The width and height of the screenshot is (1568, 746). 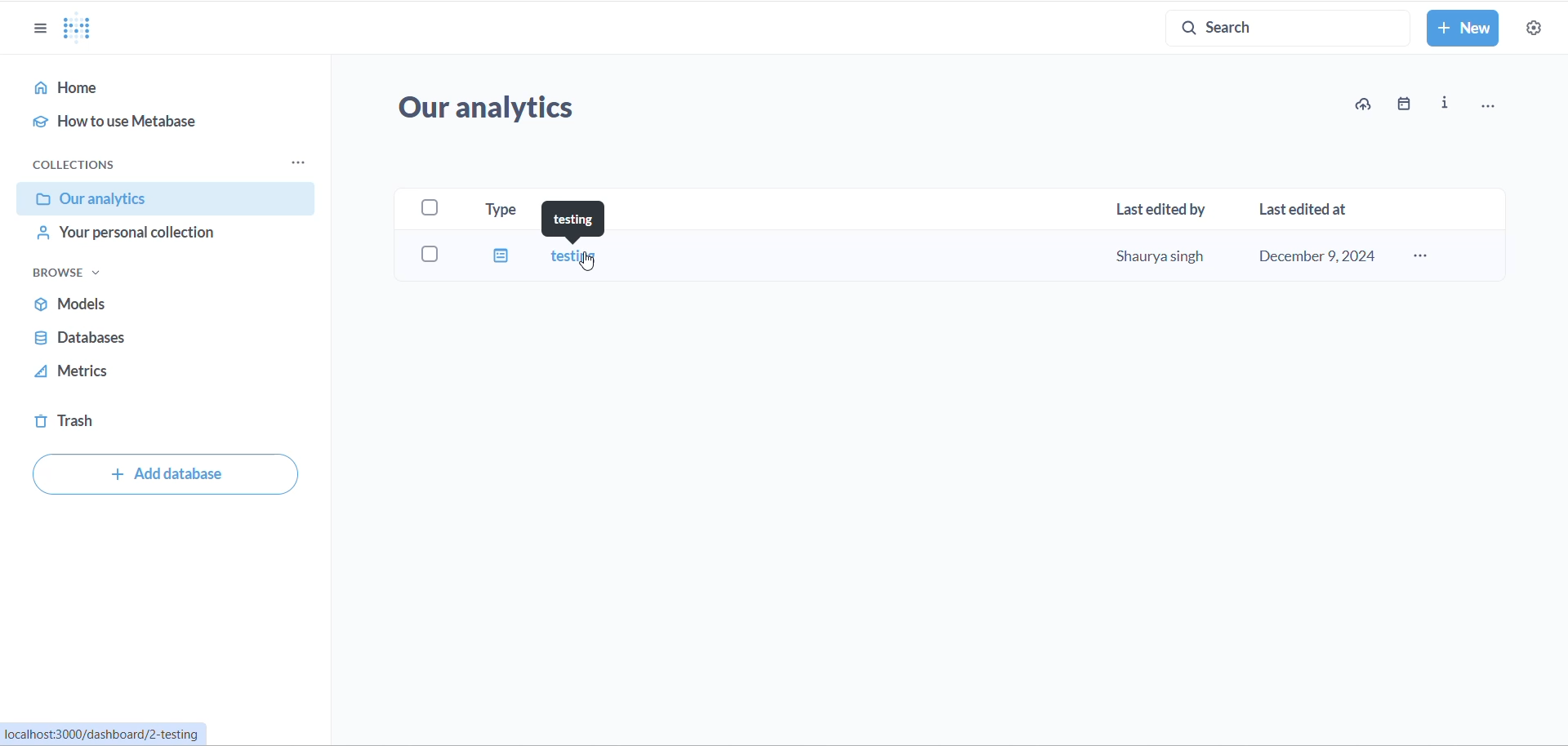 What do you see at coordinates (570, 255) in the screenshot?
I see `testing dashboard` at bounding box center [570, 255].